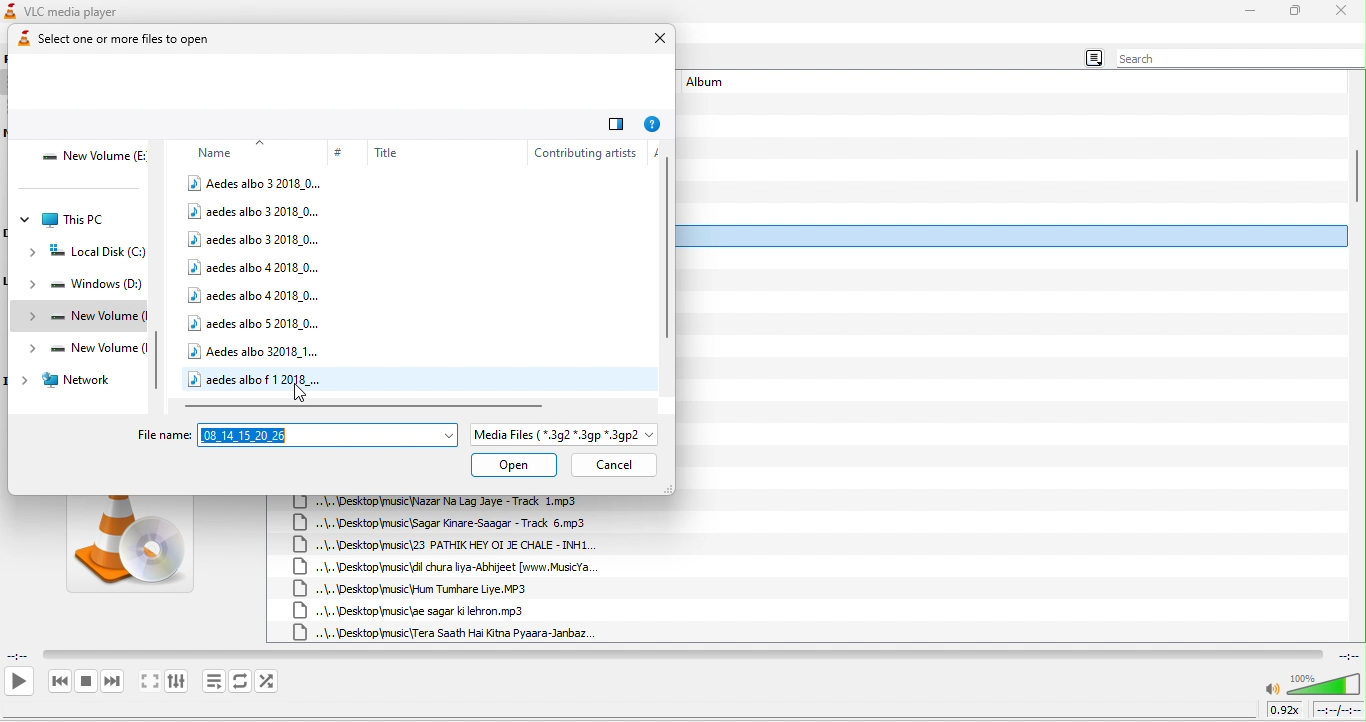 The image size is (1366, 722). I want to click on ..\..\Desktopmusic\dil chura liya-Abhijeet [www.MusicYa., so click(456, 567).